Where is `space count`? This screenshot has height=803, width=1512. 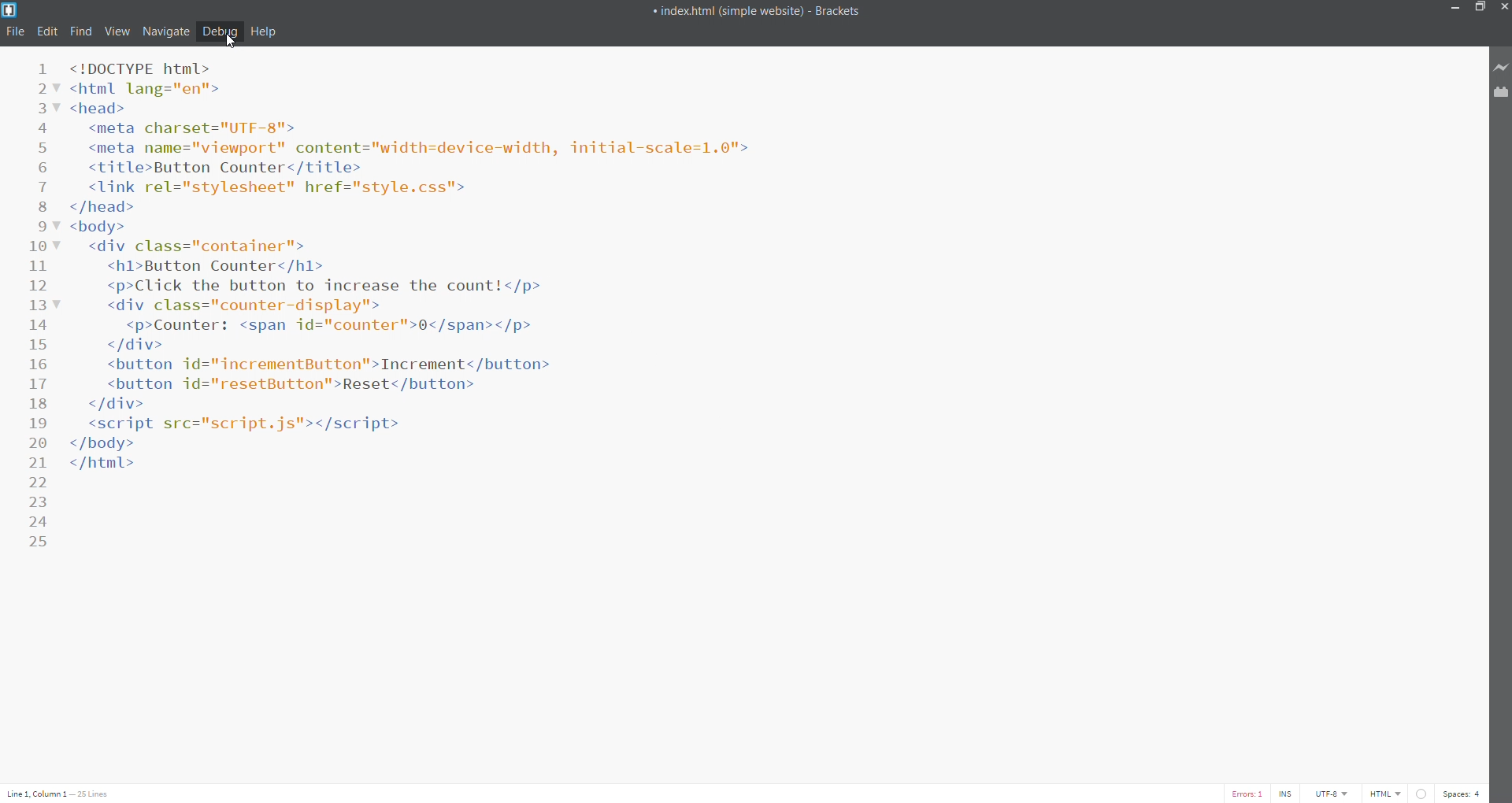
space count is located at coordinates (1468, 794).